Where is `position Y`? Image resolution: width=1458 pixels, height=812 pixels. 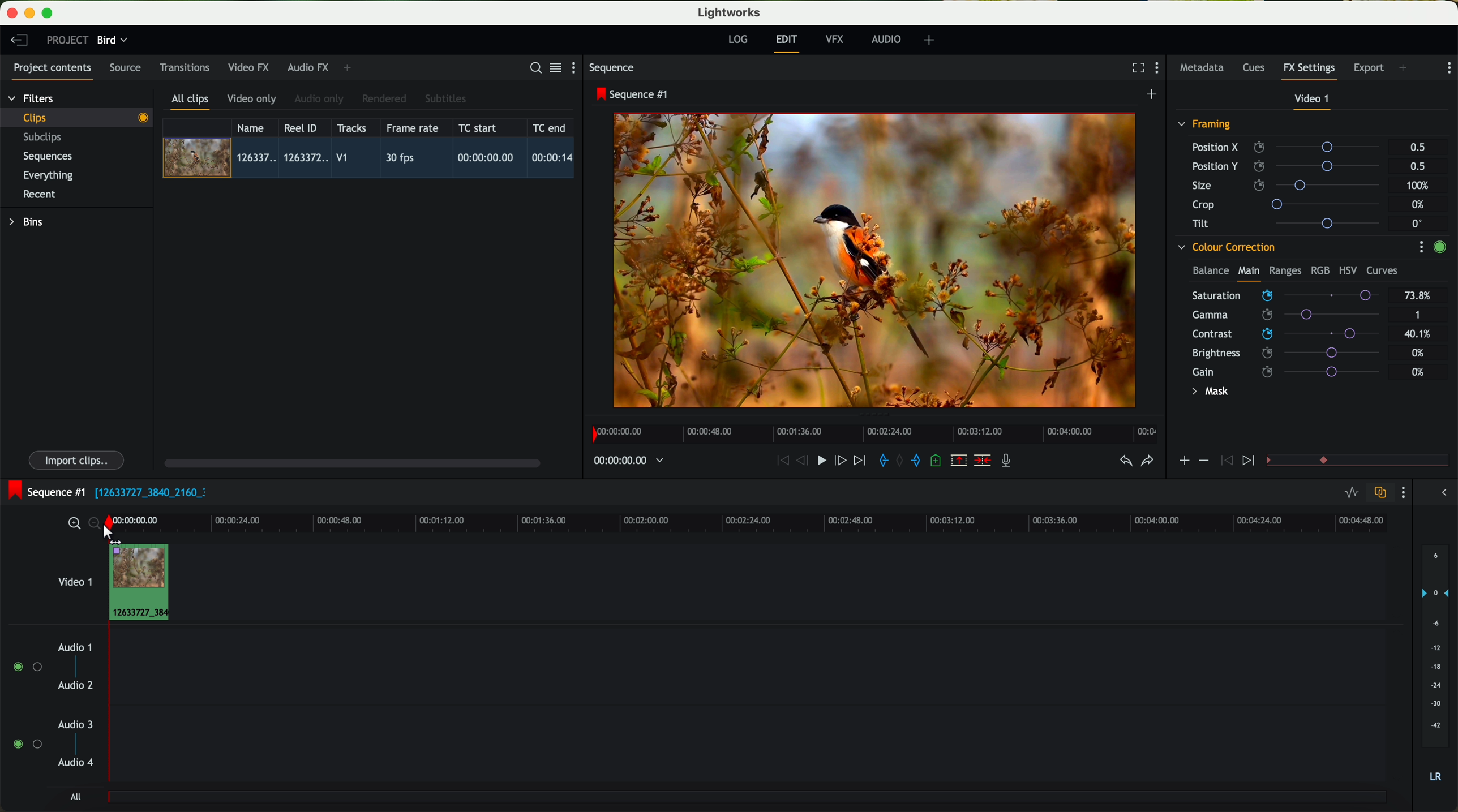 position Y is located at coordinates (1290, 166).